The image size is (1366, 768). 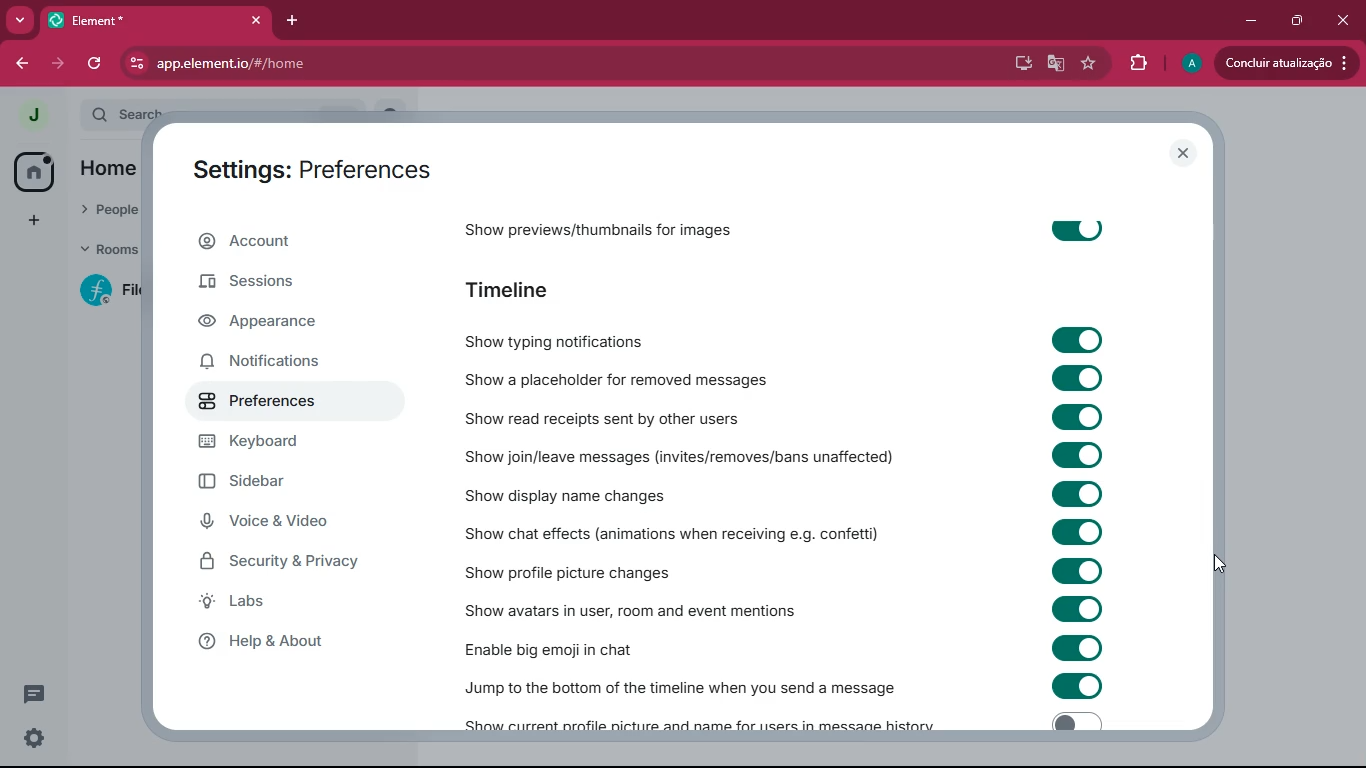 I want to click on home, so click(x=117, y=167).